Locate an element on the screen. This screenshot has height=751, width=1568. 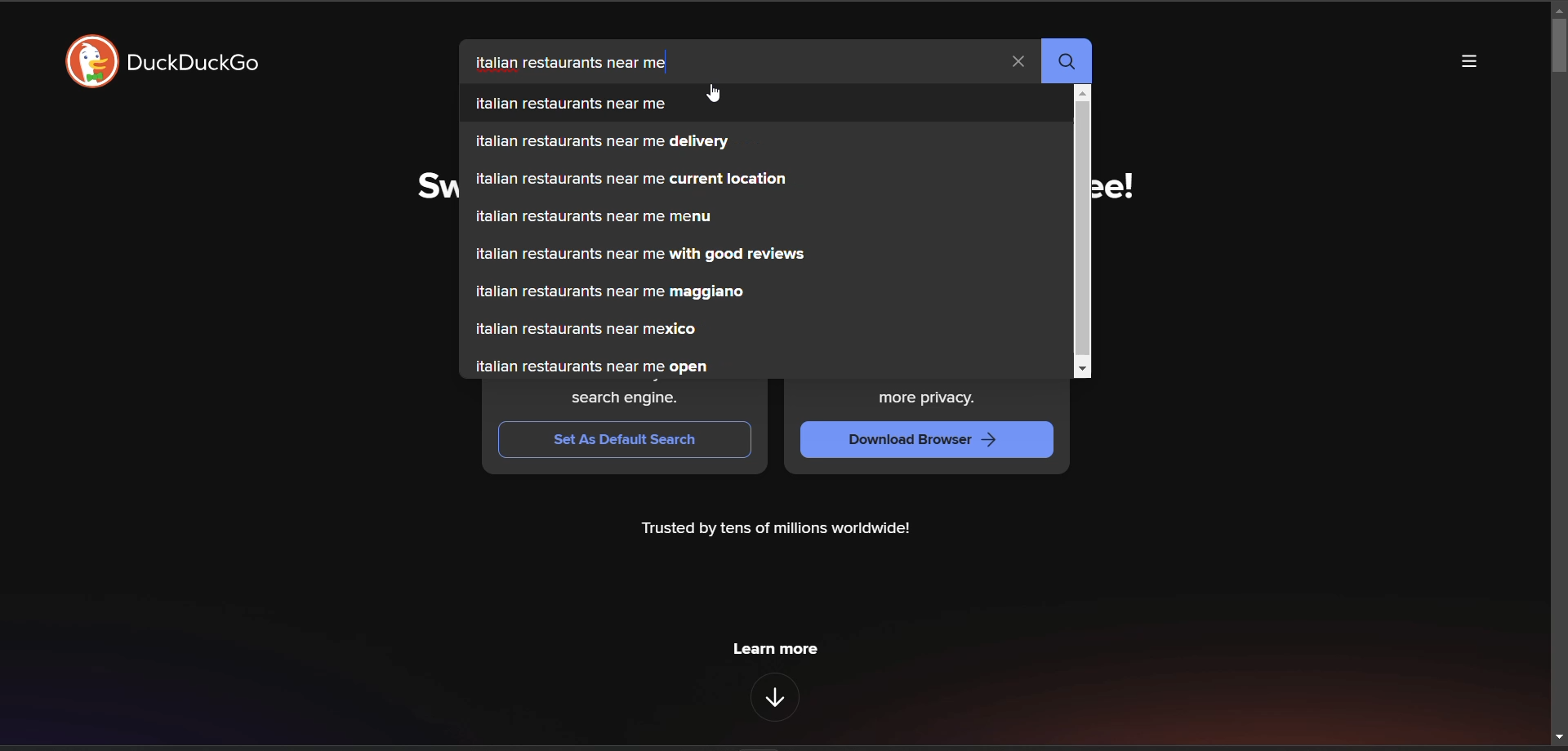
italian restaurants near me current location is located at coordinates (765, 180).